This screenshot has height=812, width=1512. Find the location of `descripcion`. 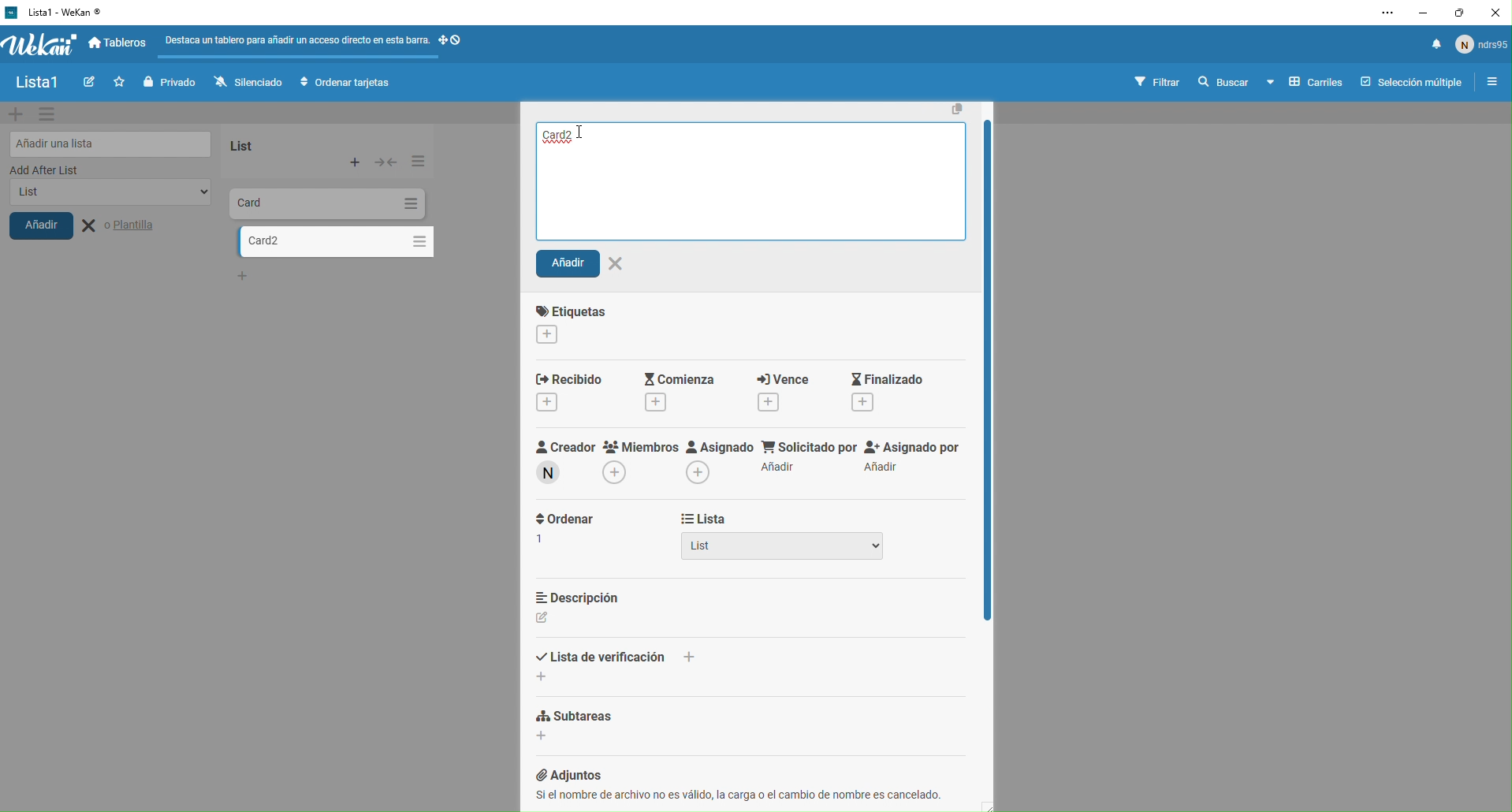

descripcion is located at coordinates (594, 604).